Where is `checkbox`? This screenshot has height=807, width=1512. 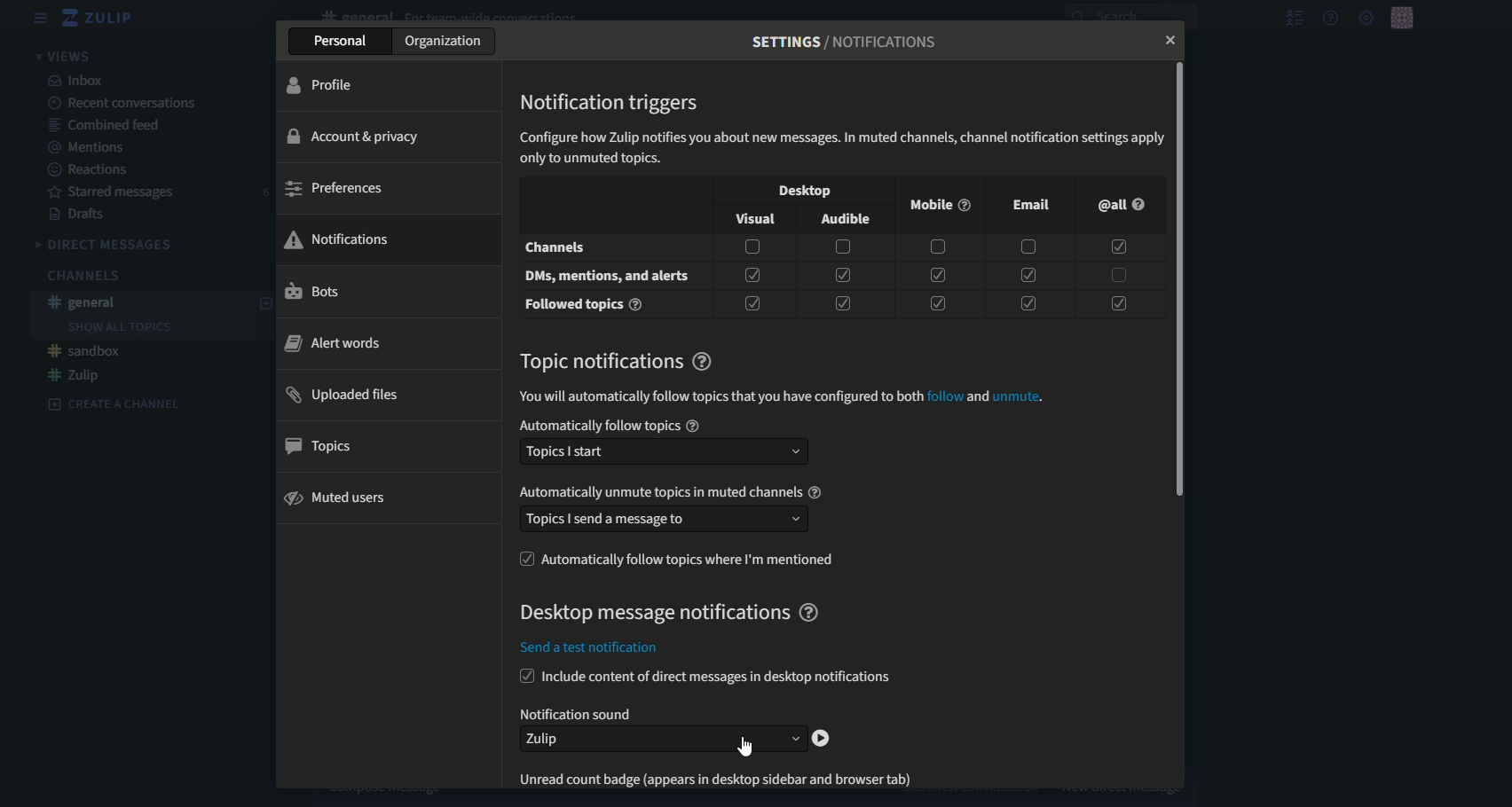 checkbox is located at coordinates (524, 559).